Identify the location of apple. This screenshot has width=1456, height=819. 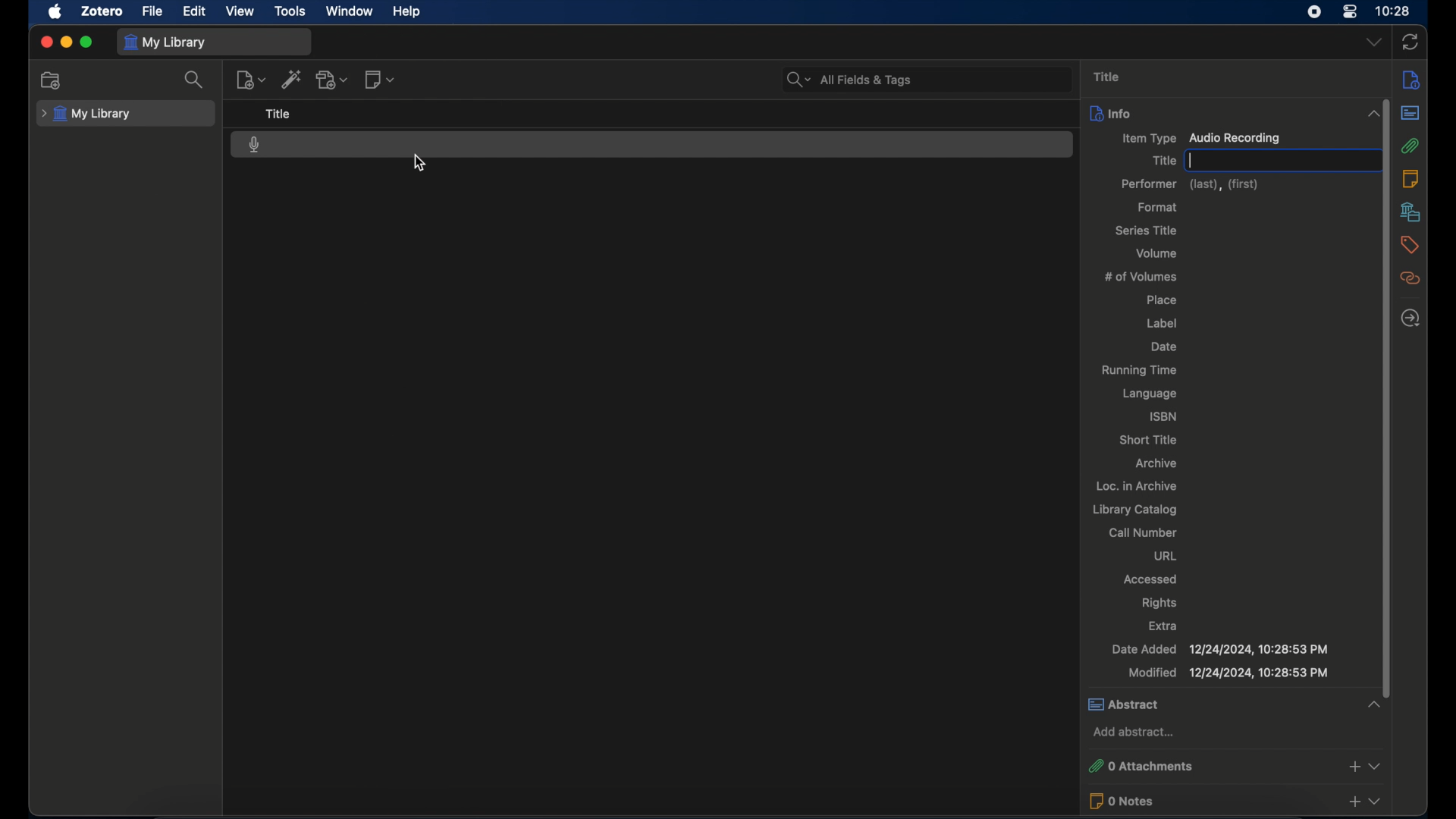
(55, 12).